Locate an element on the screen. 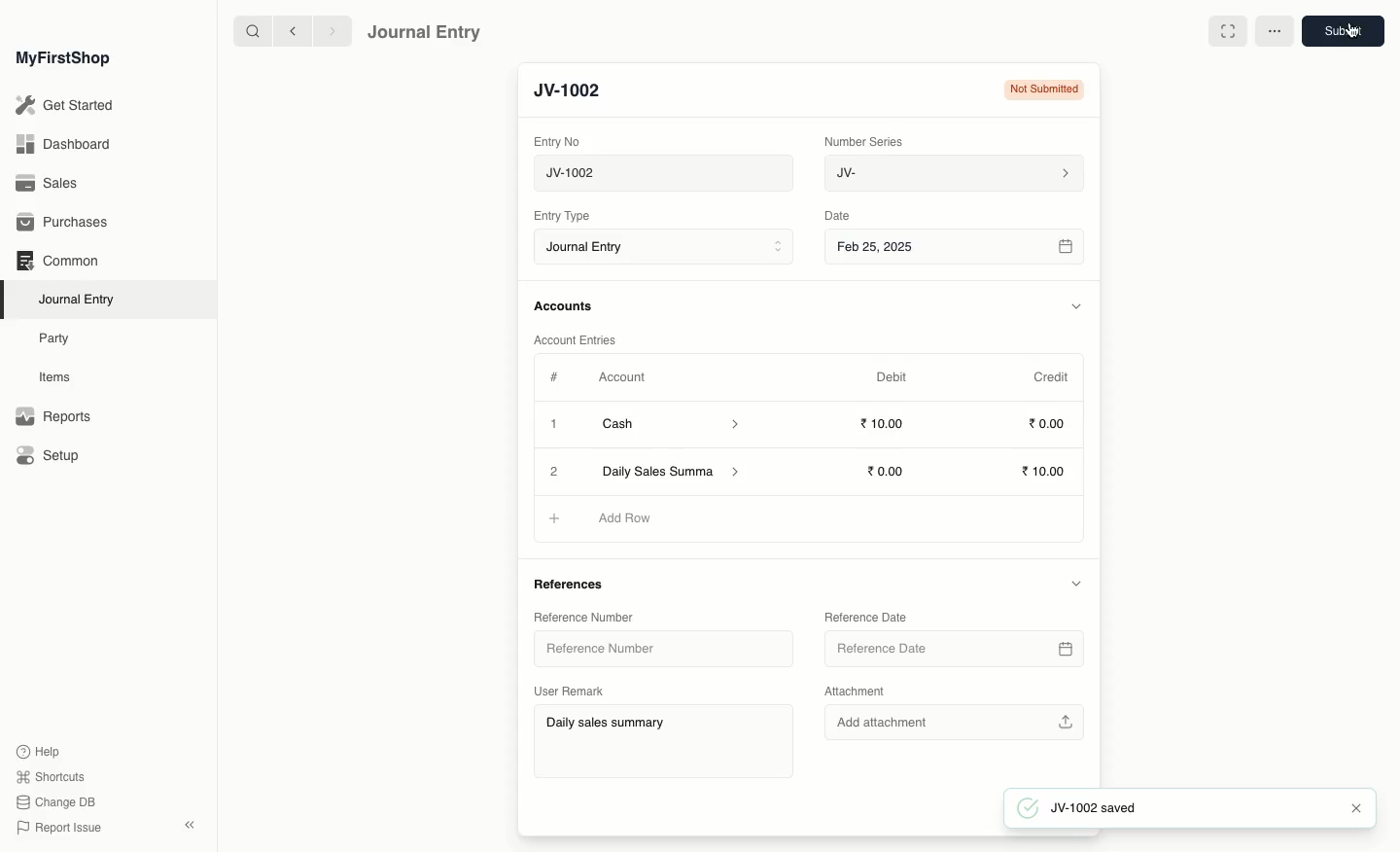 This screenshot has height=852, width=1400. Full width toggle is located at coordinates (1226, 31).